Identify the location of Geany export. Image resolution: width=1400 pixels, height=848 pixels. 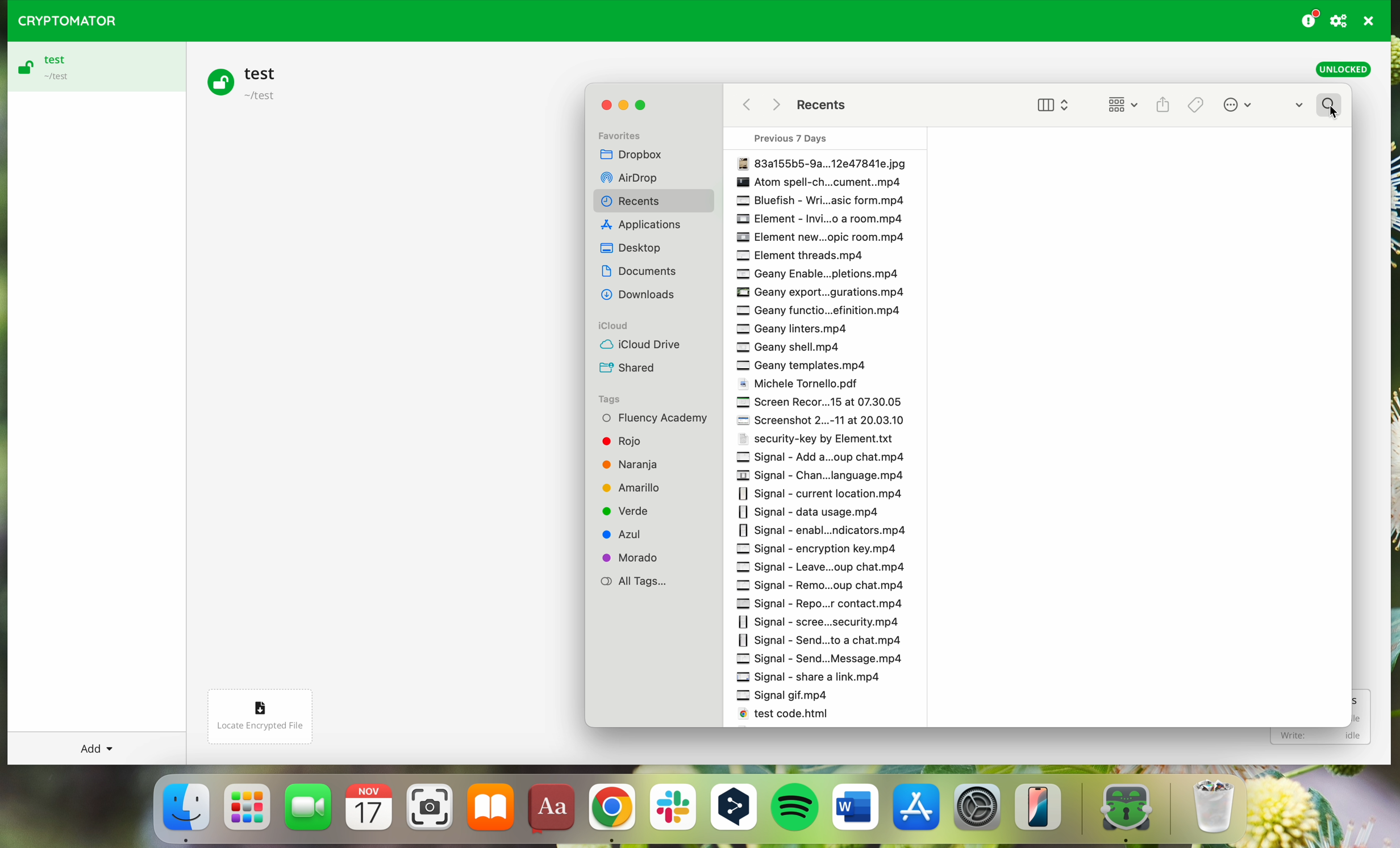
(826, 293).